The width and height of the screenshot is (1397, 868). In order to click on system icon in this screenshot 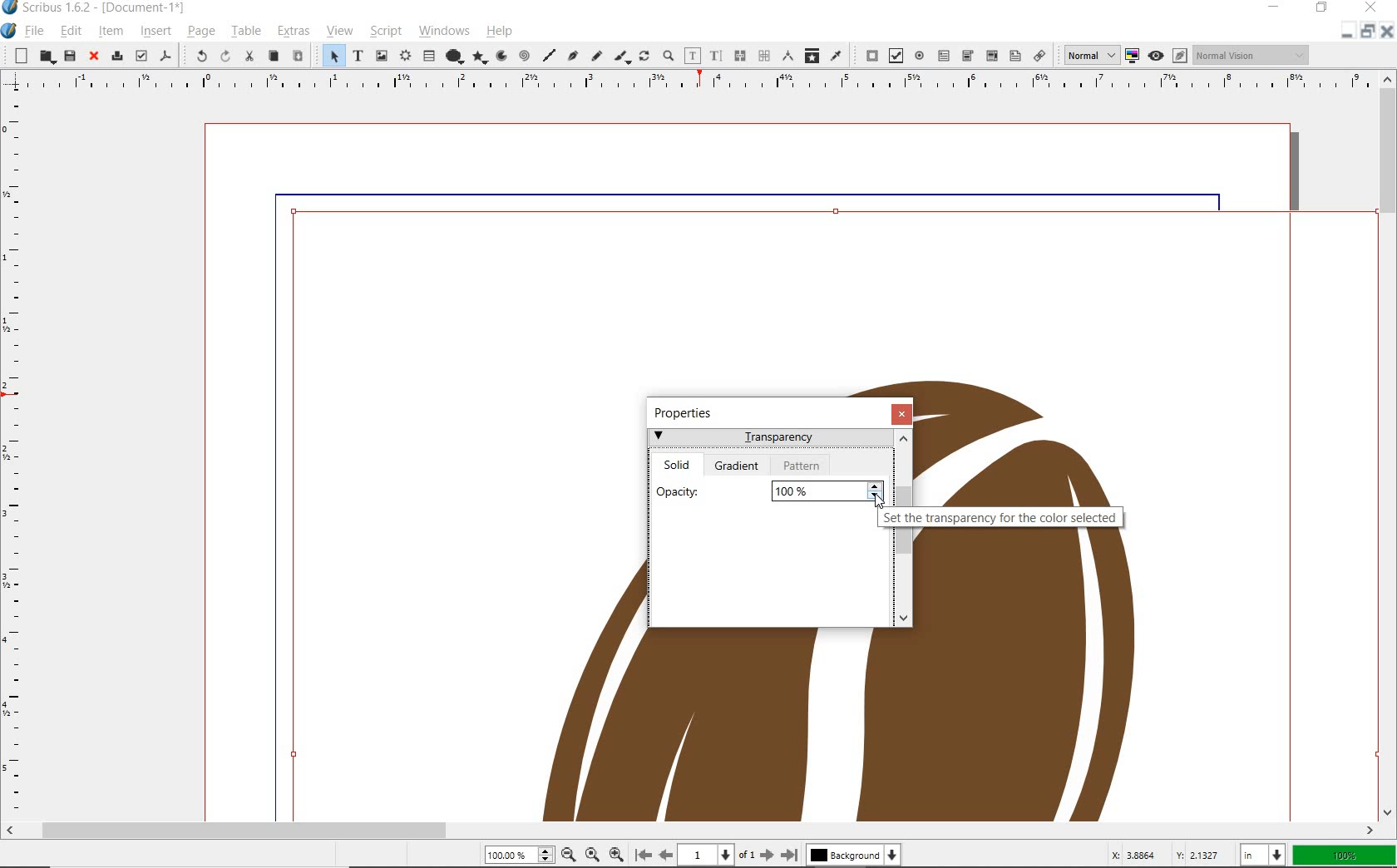, I will do `click(10, 31)`.